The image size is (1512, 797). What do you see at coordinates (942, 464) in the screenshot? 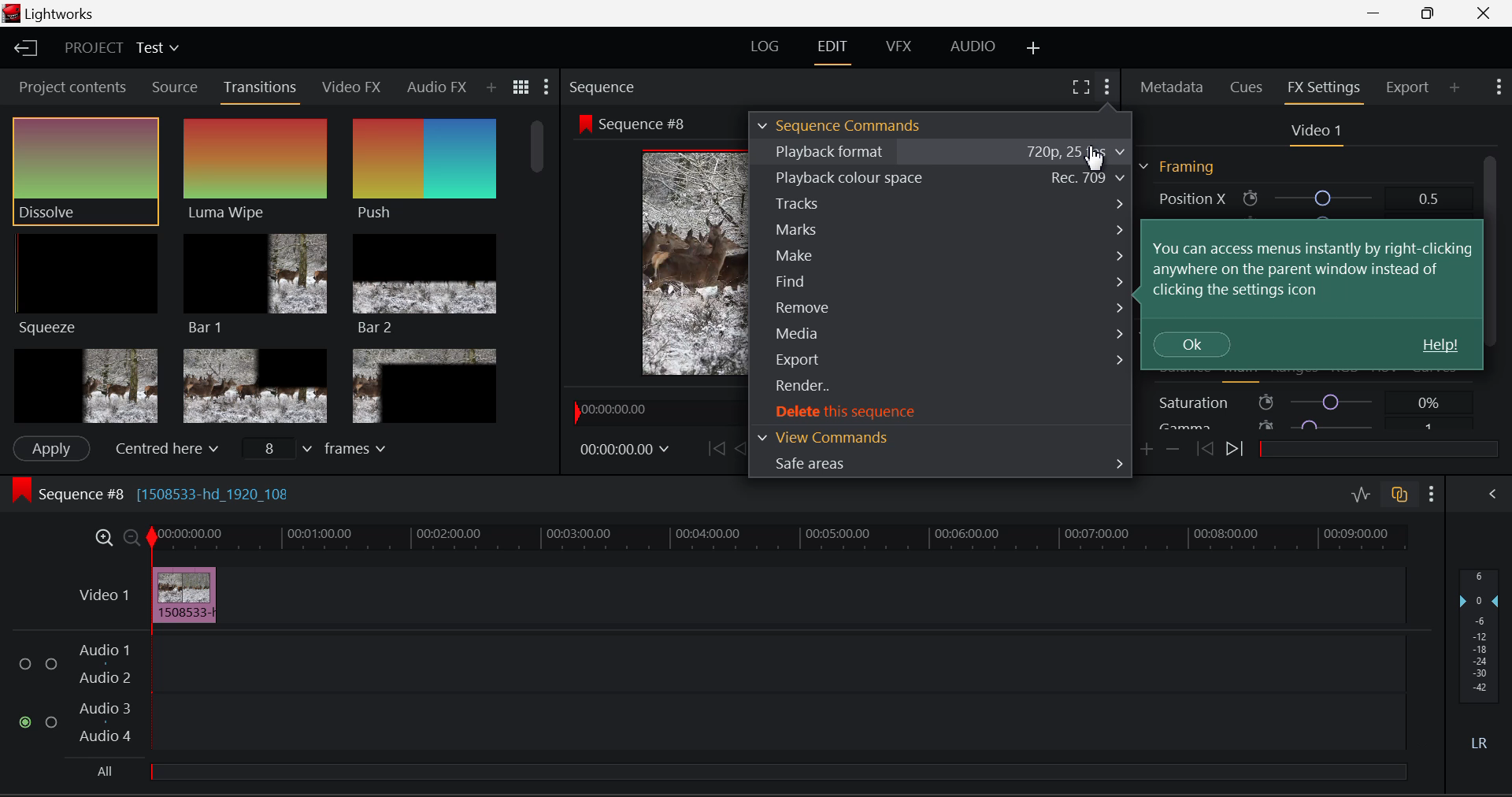
I see `Safe areas` at bounding box center [942, 464].